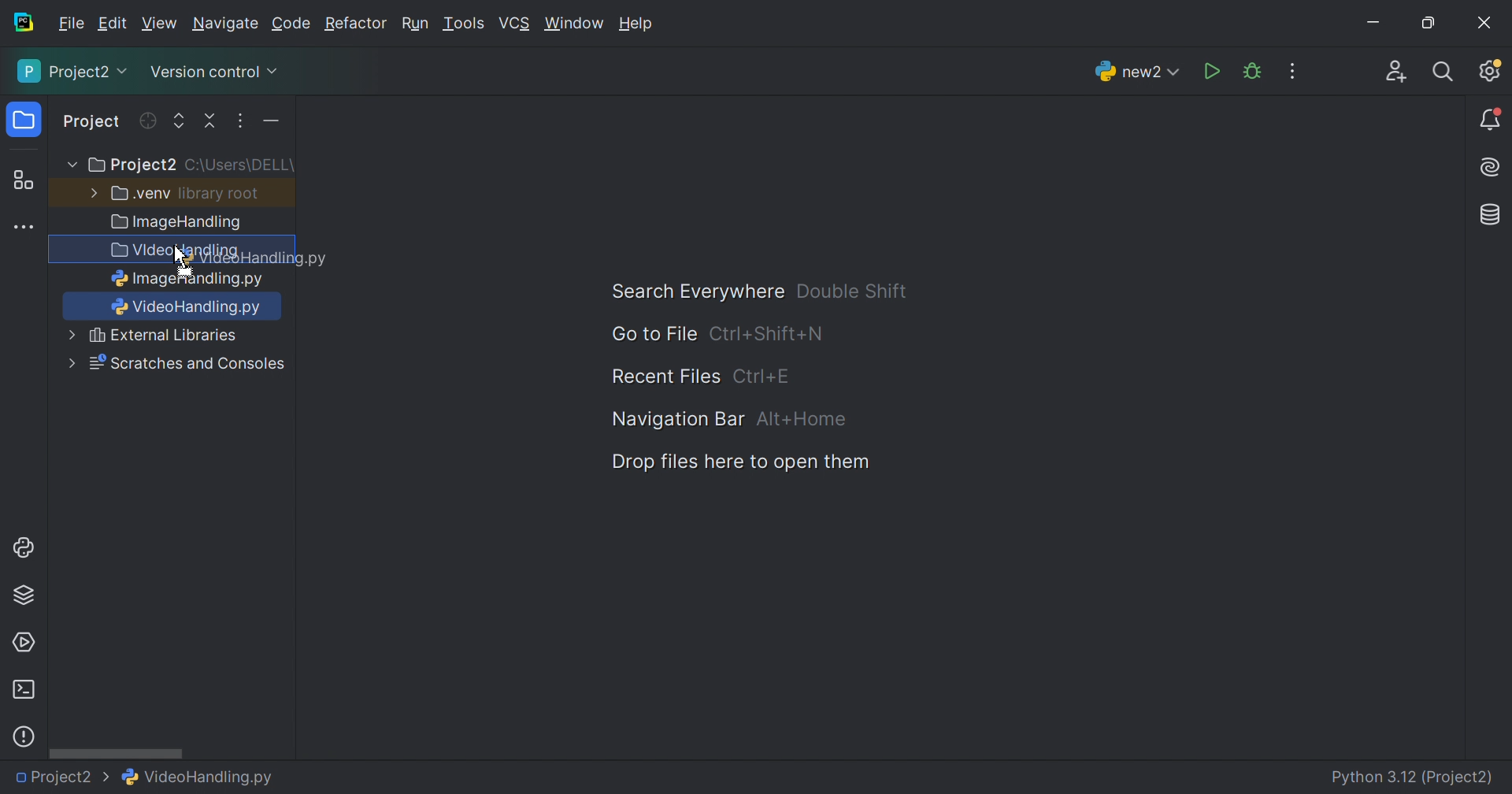 This screenshot has height=794, width=1512. What do you see at coordinates (26, 228) in the screenshot?
I see `More tool windows` at bounding box center [26, 228].